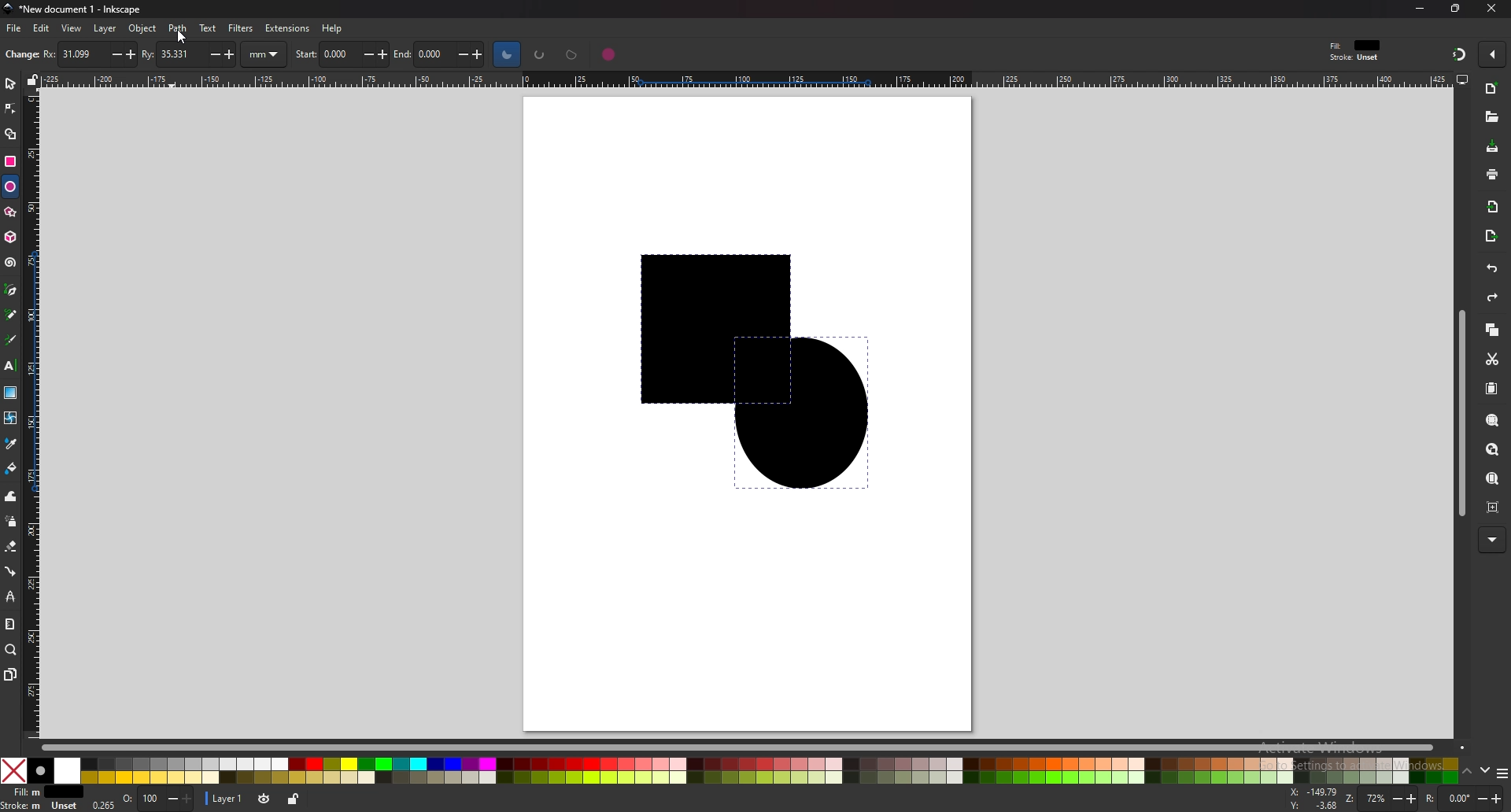 This screenshot has width=1511, height=812. I want to click on more colors, so click(1502, 773).